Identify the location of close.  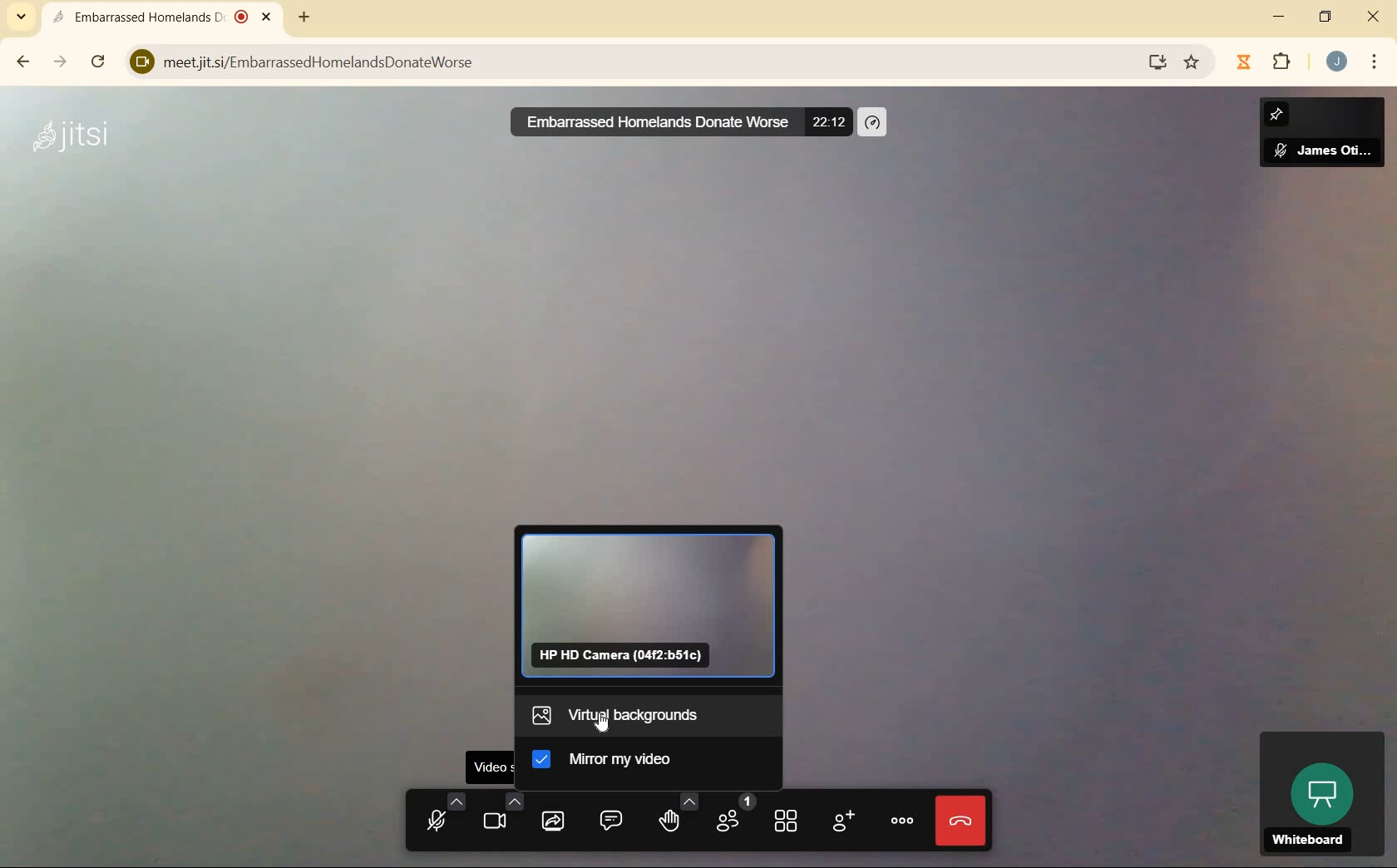
(1372, 17).